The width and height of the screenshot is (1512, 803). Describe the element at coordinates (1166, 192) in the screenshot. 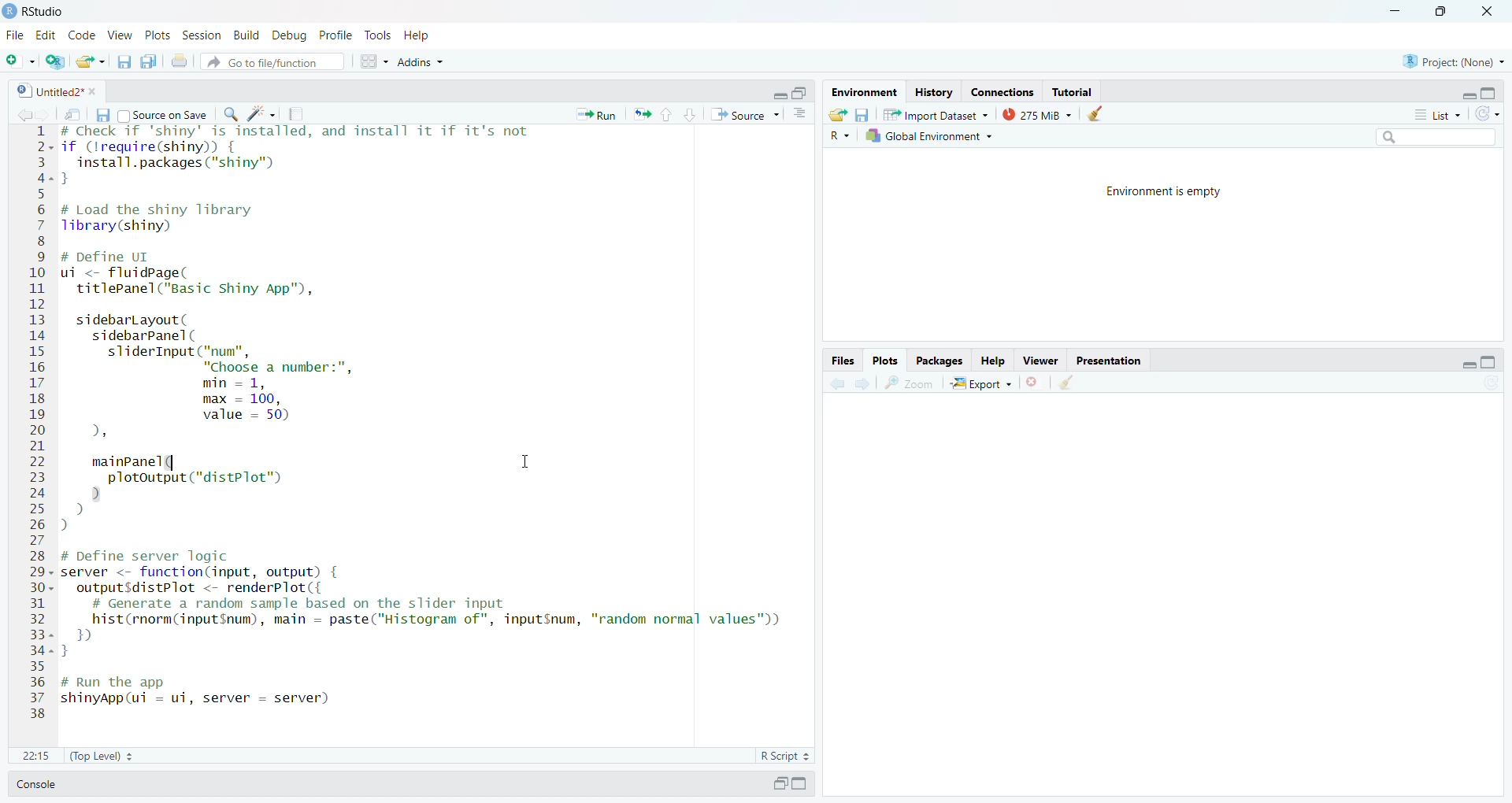

I see `Environment is empty` at that location.